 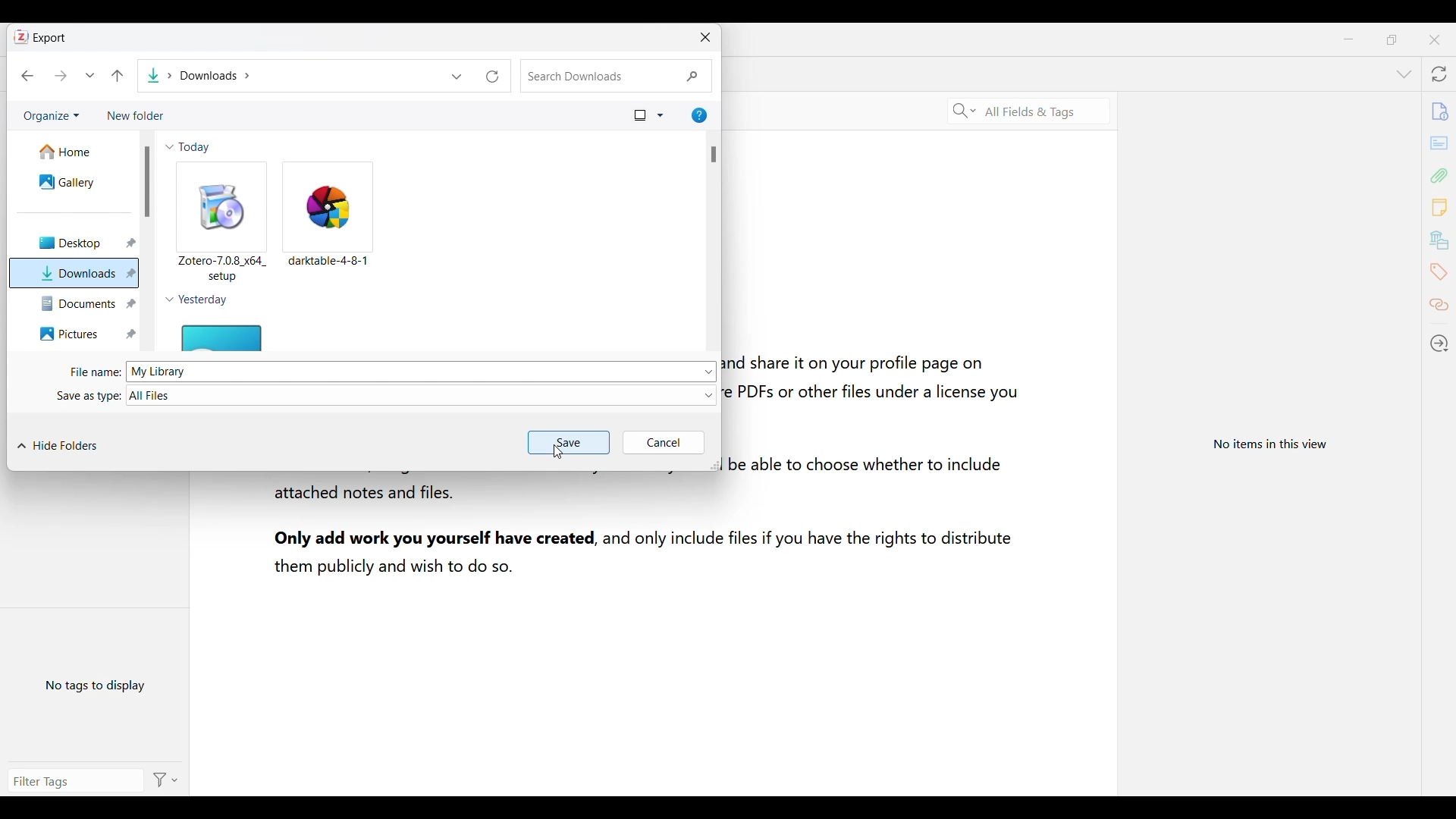 What do you see at coordinates (700, 114) in the screenshot?
I see `Help` at bounding box center [700, 114].